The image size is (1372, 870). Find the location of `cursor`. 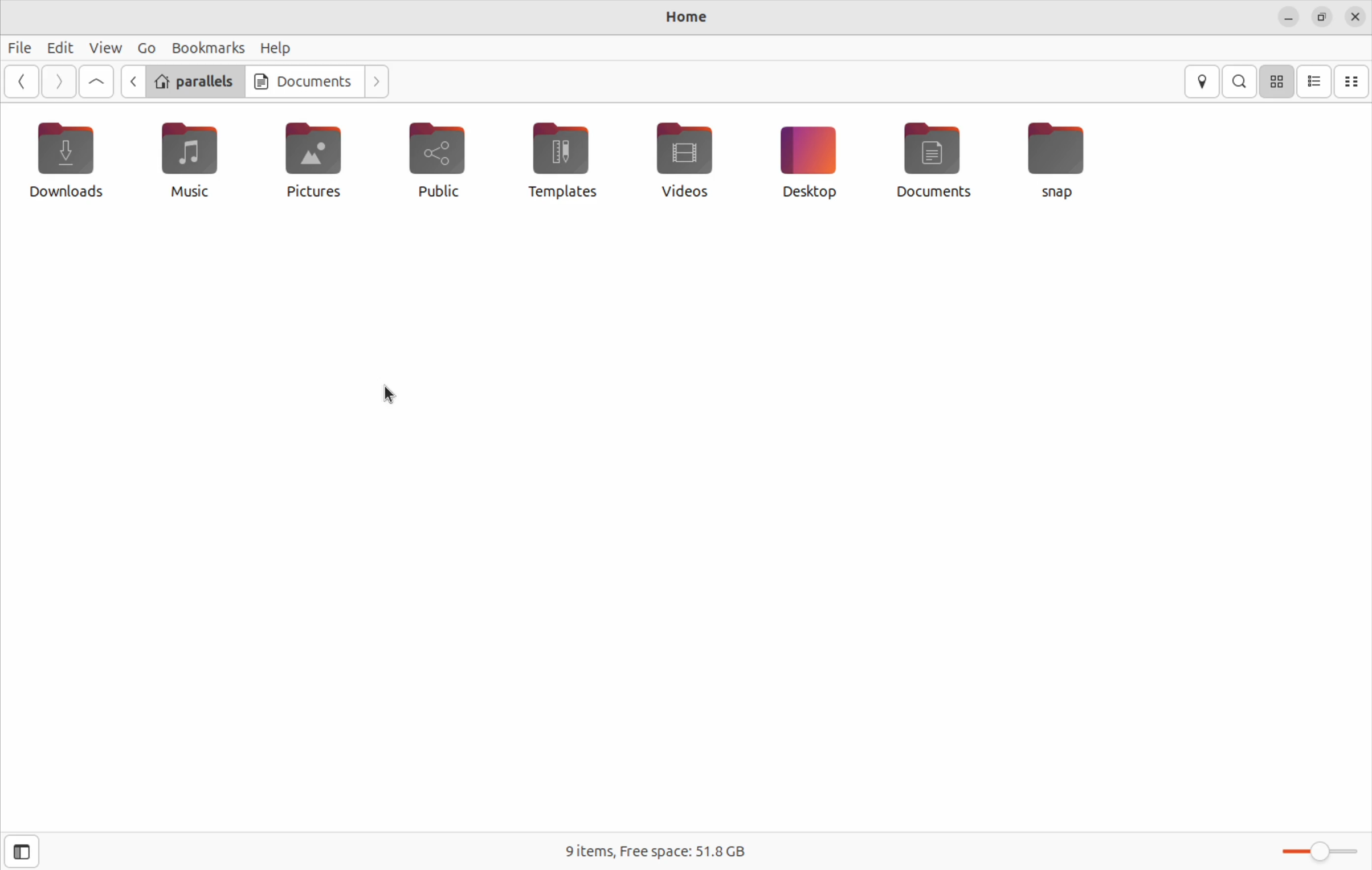

cursor is located at coordinates (393, 397).